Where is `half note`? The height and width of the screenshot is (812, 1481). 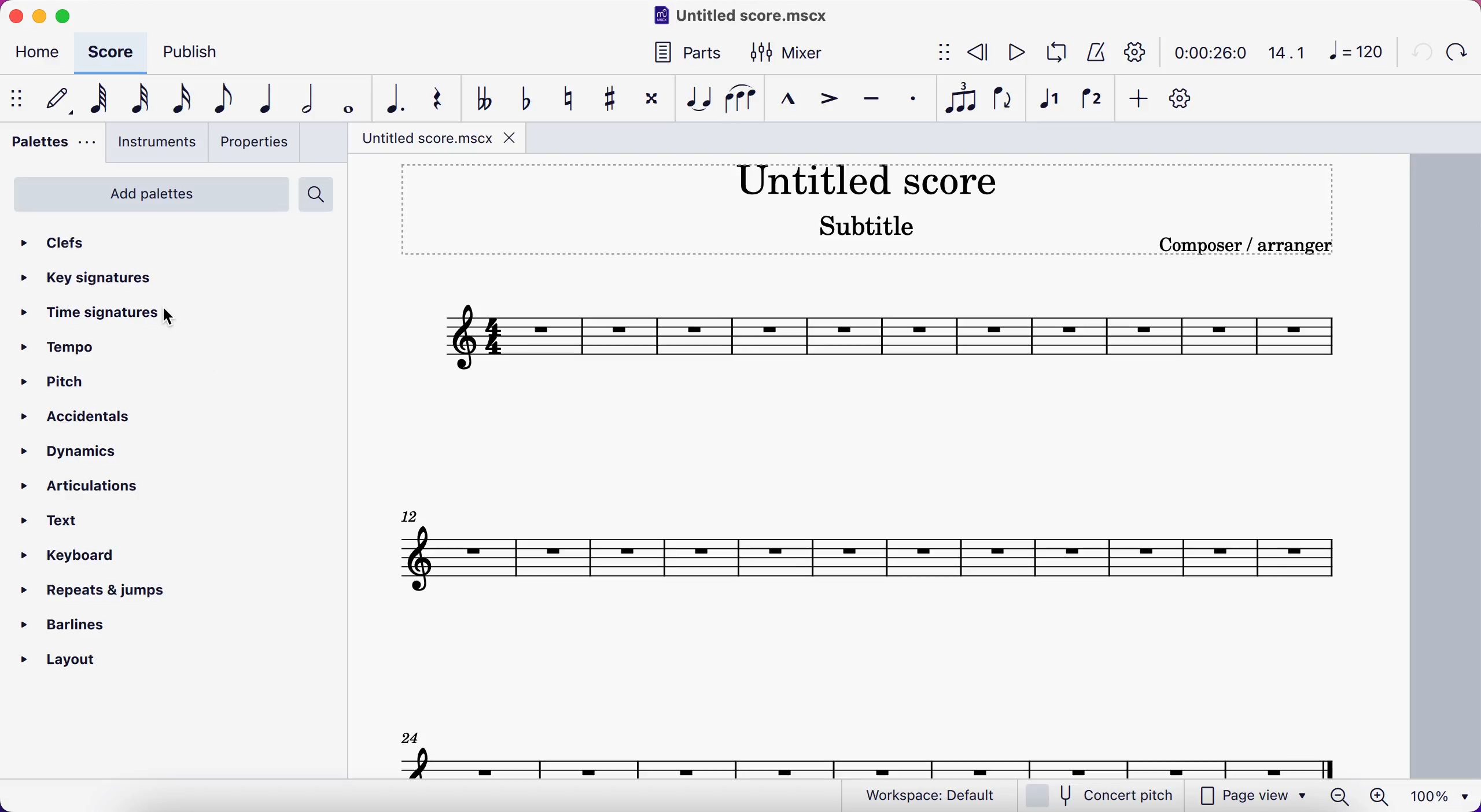
half note is located at coordinates (307, 98).